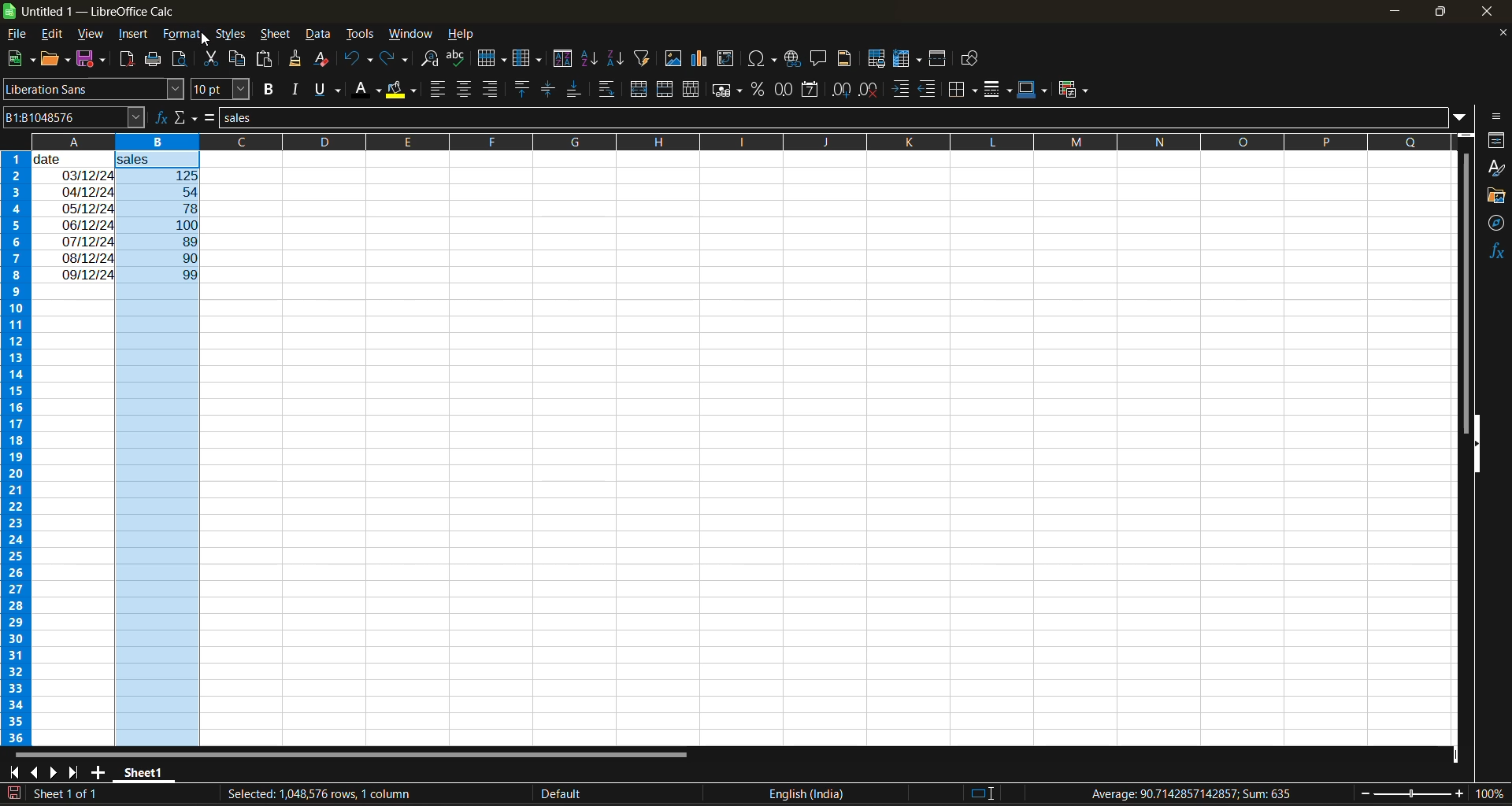 This screenshot has height=806, width=1512. What do you see at coordinates (1444, 15) in the screenshot?
I see `maximize` at bounding box center [1444, 15].